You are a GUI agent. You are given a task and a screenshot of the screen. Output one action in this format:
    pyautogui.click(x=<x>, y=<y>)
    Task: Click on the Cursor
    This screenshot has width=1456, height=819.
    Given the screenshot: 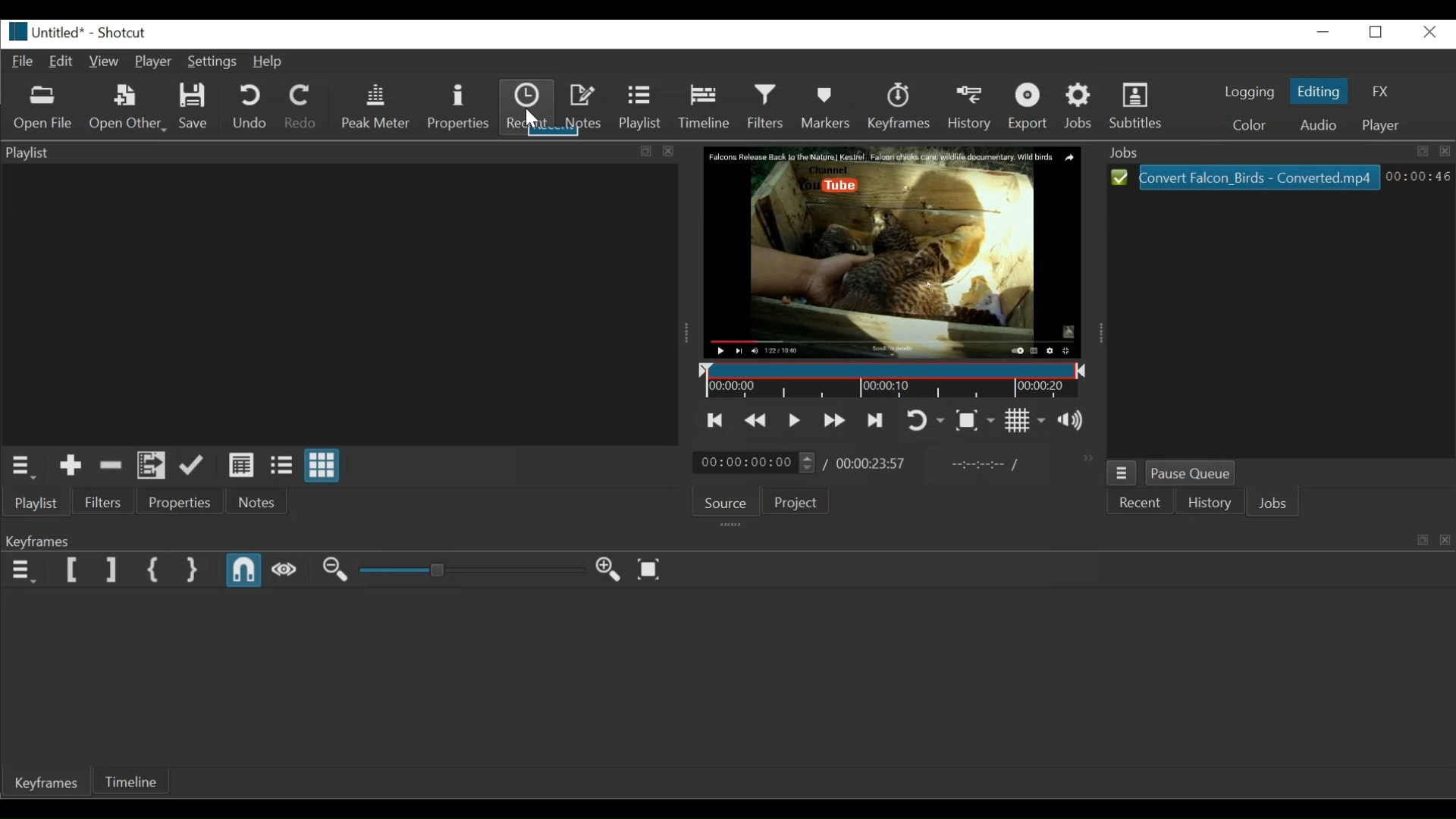 What is the action you would take?
    pyautogui.click(x=530, y=119)
    